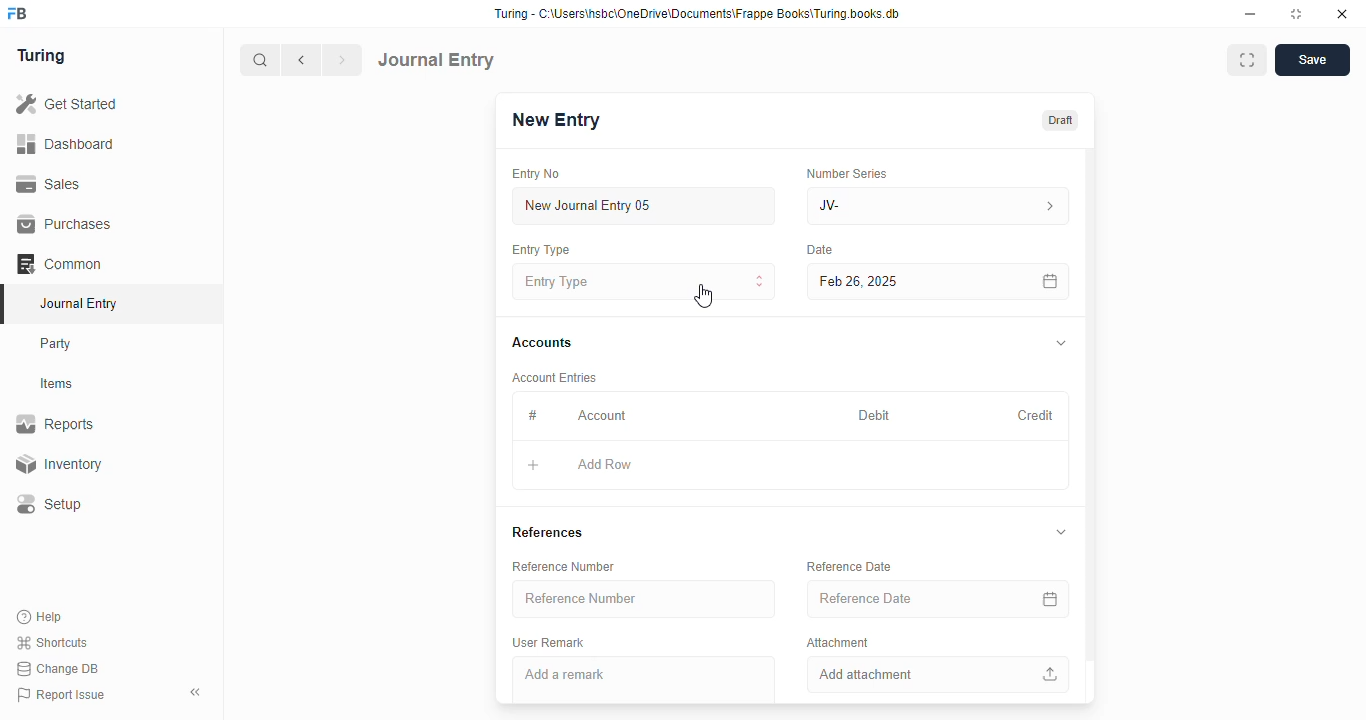 The image size is (1366, 720). I want to click on help, so click(41, 616).